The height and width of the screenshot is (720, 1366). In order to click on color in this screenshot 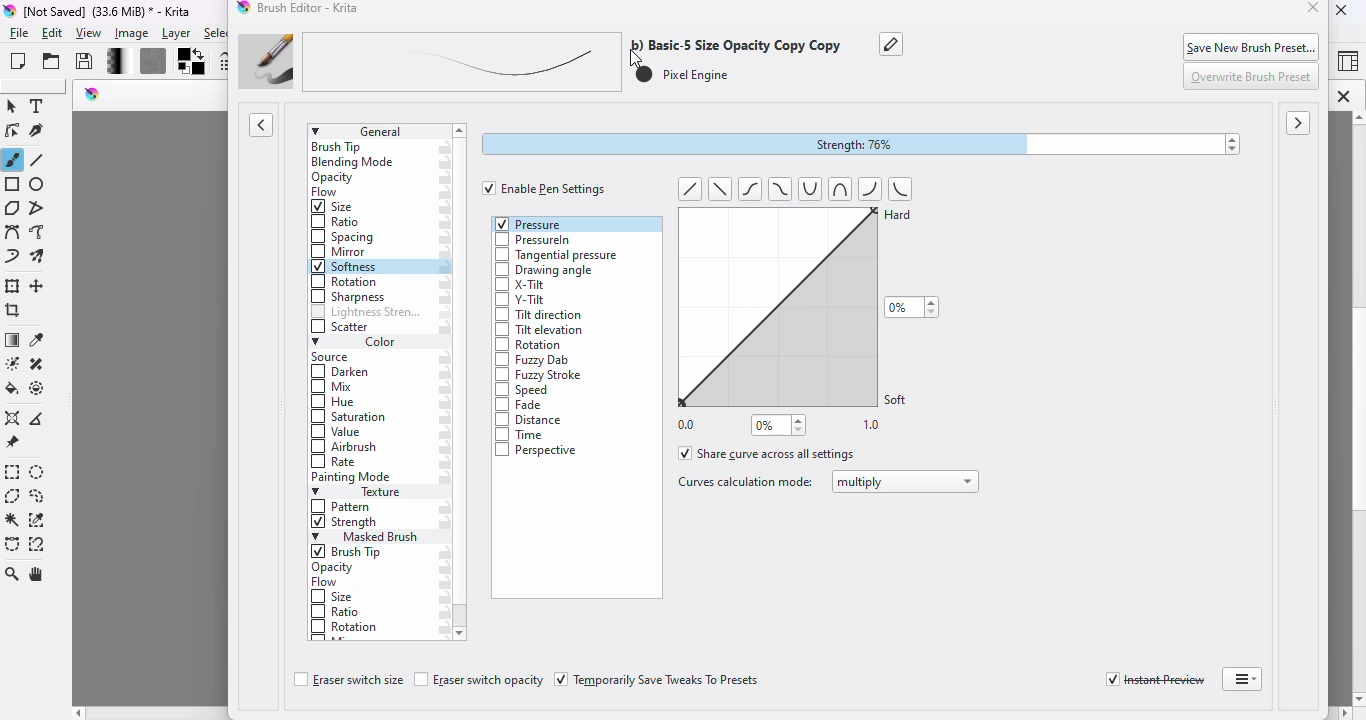, I will do `click(355, 343)`.